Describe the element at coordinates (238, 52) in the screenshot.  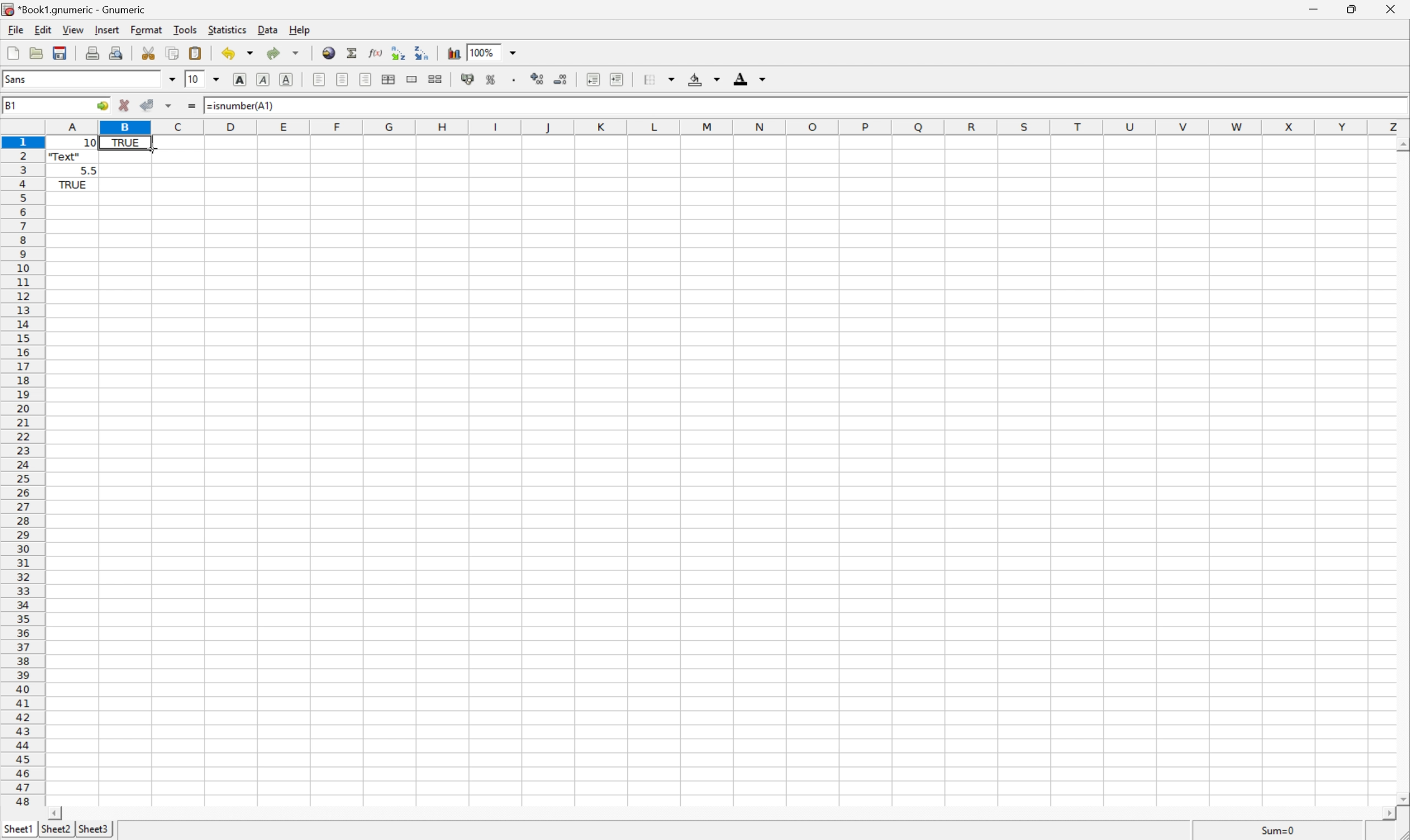
I see `Undo` at that location.